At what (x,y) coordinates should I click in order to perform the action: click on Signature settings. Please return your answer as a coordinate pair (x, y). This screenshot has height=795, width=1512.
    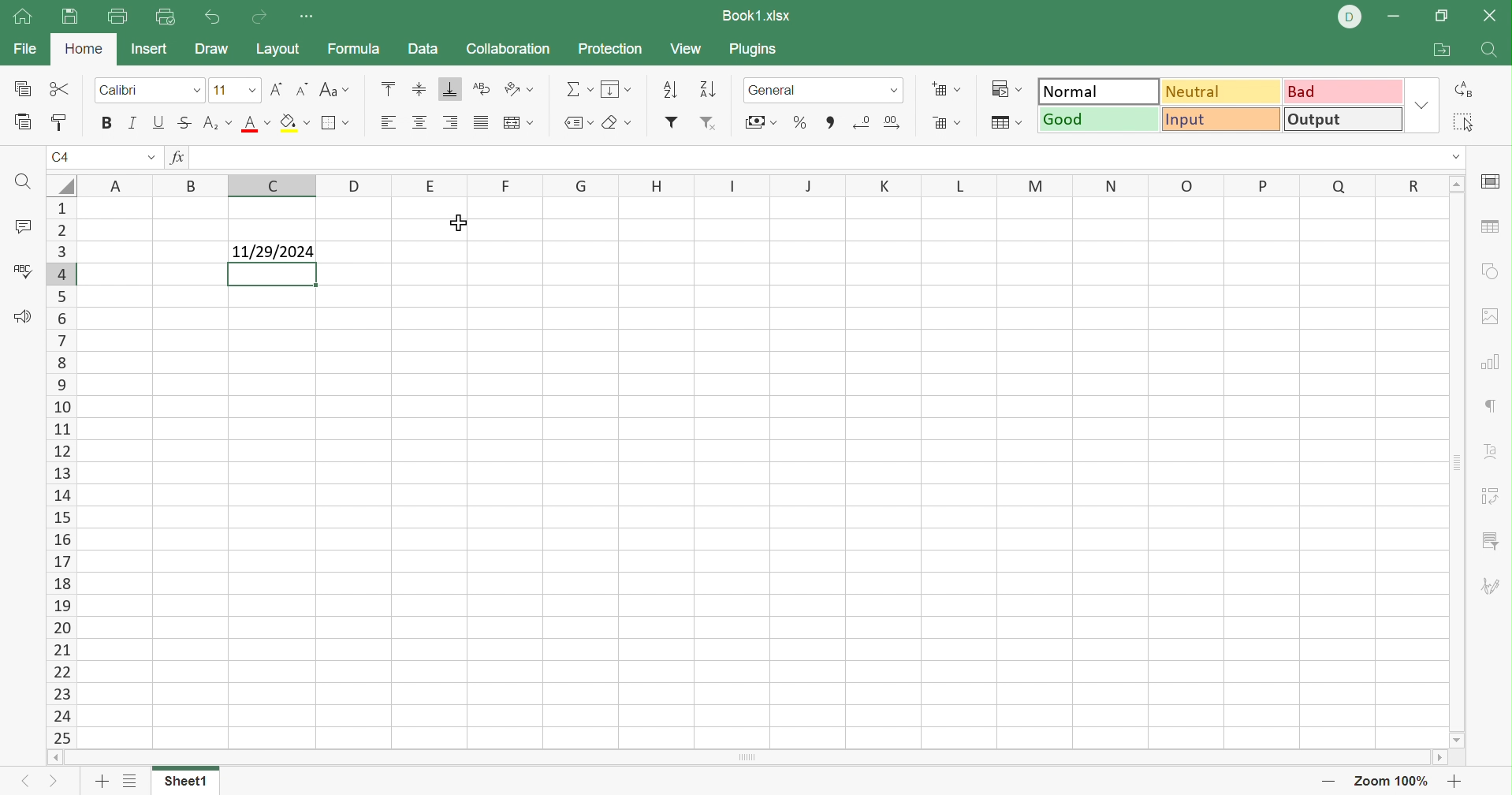
    Looking at the image, I should click on (1494, 587).